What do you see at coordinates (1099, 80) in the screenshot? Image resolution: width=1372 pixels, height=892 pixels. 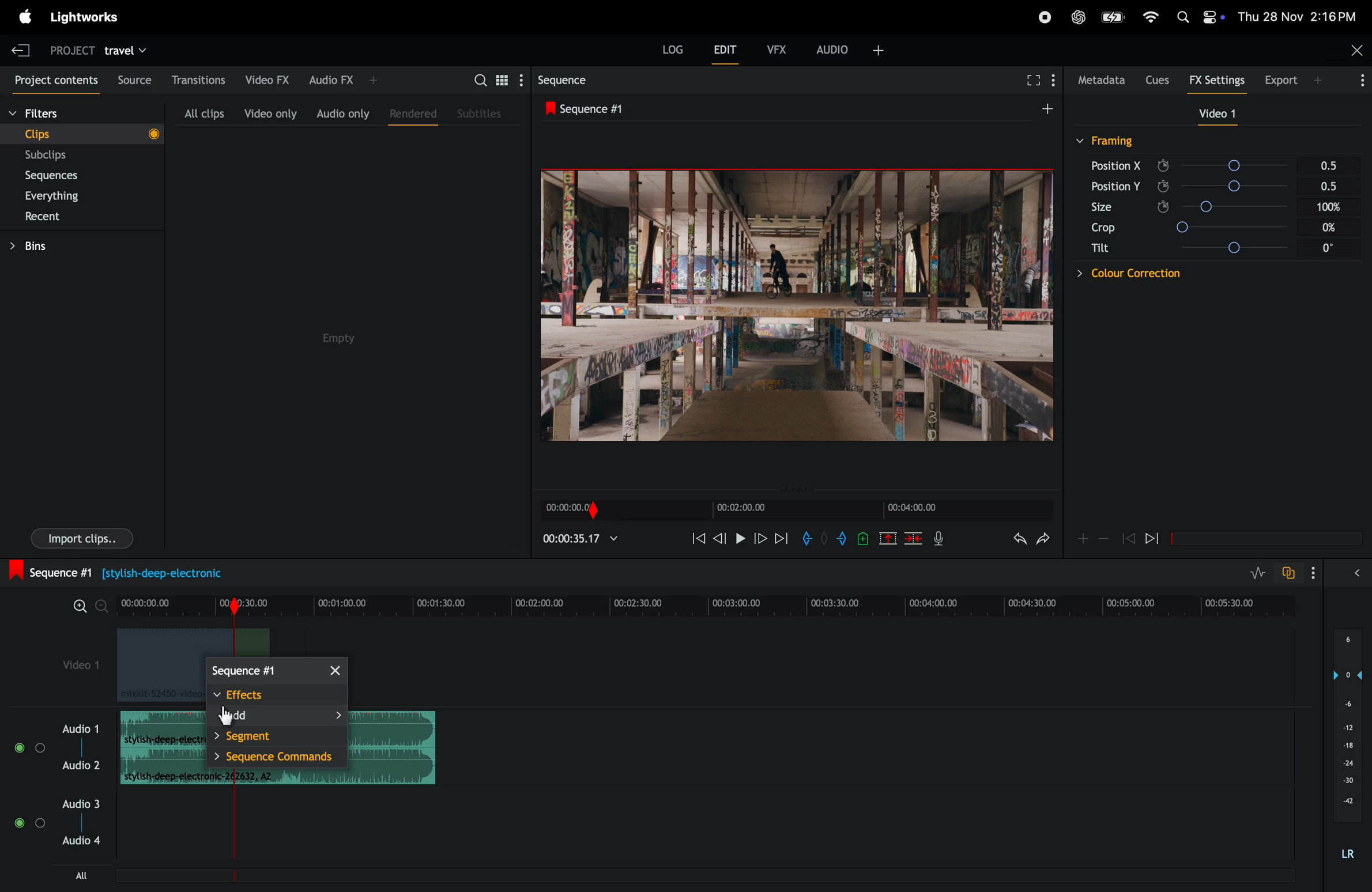 I see `metadata` at bounding box center [1099, 80].